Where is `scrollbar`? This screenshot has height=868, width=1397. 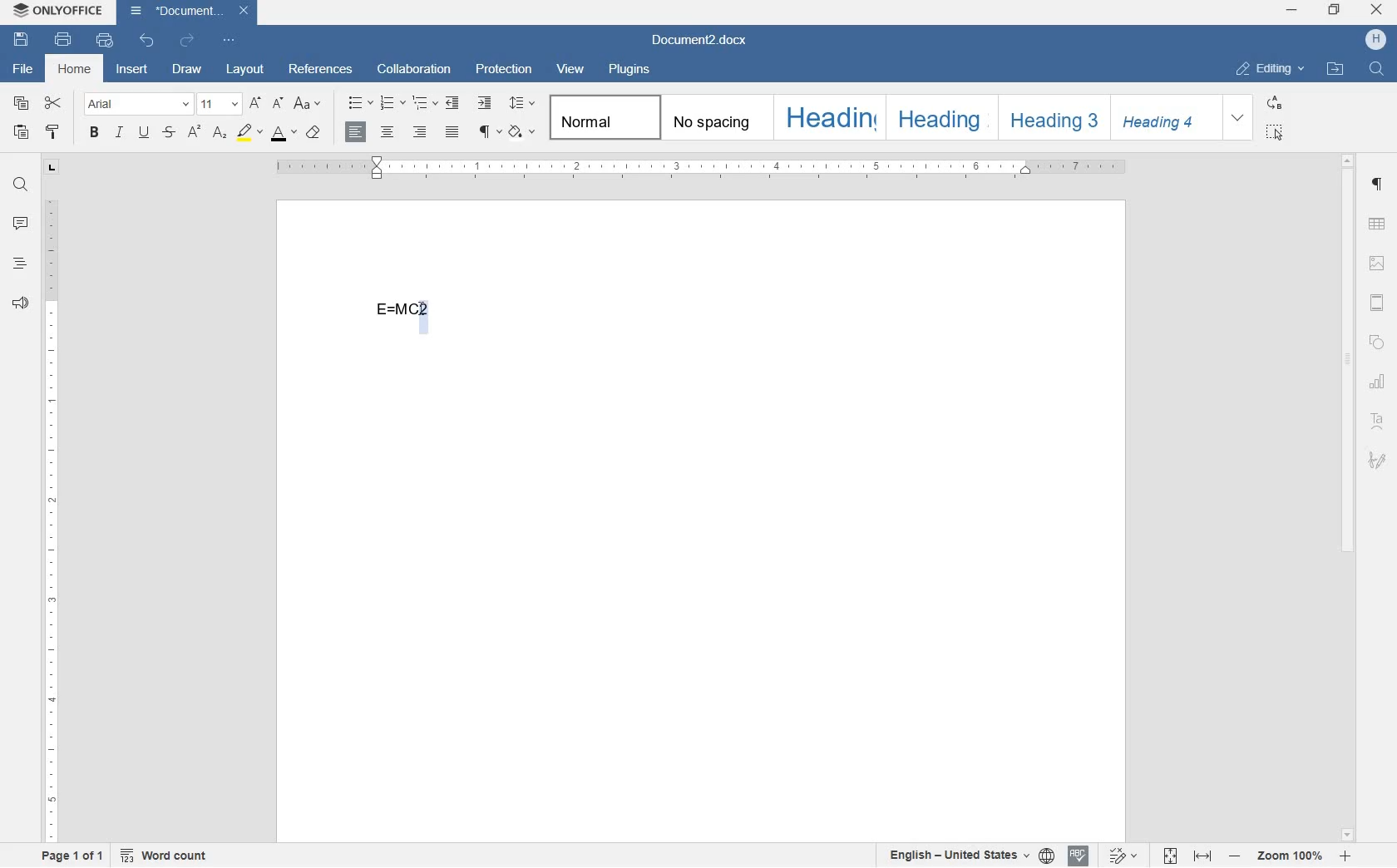 scrollbar is located at coordinates (1350, 497).